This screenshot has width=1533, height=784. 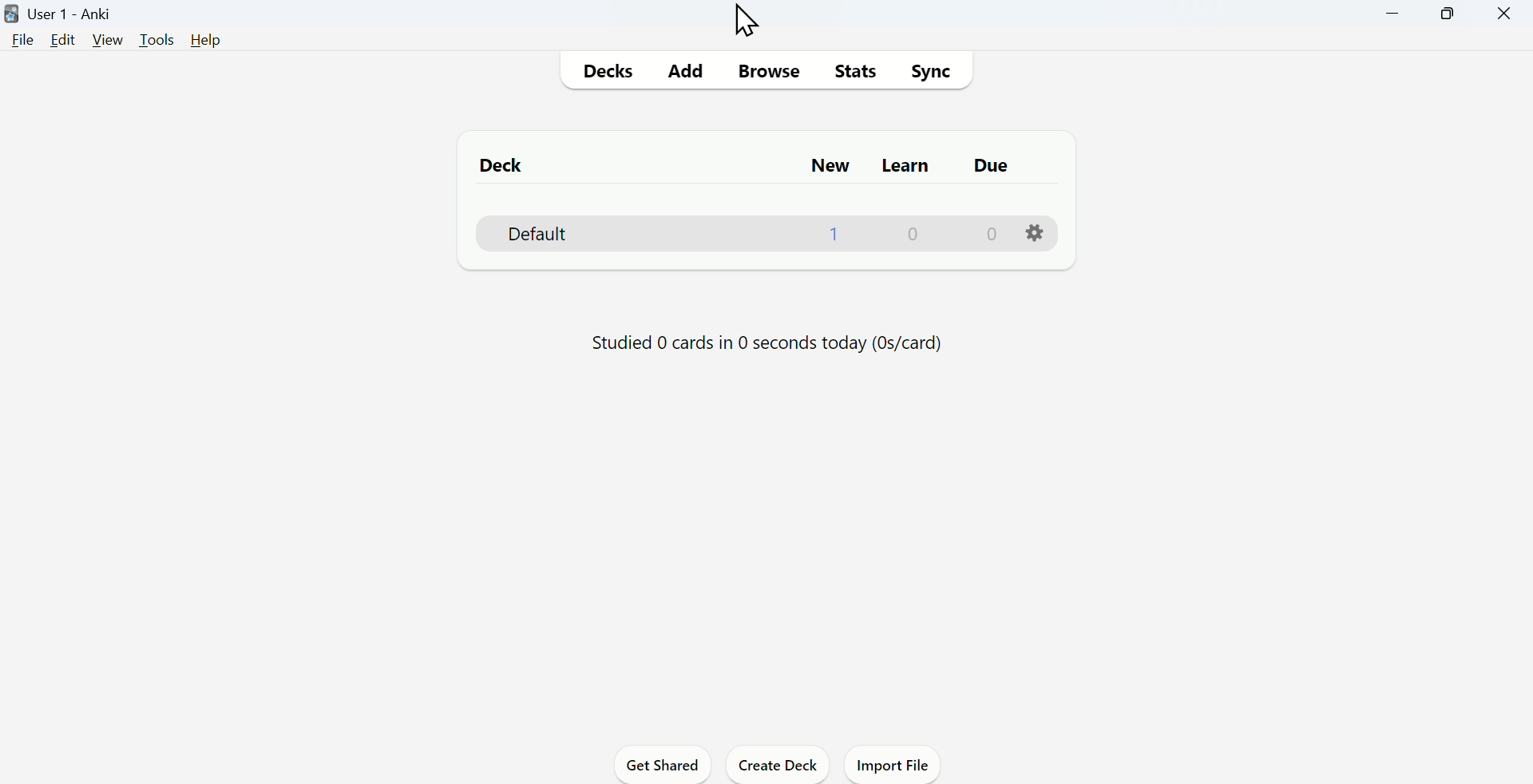 I want to click on create deck, so click(x=779, y=765).